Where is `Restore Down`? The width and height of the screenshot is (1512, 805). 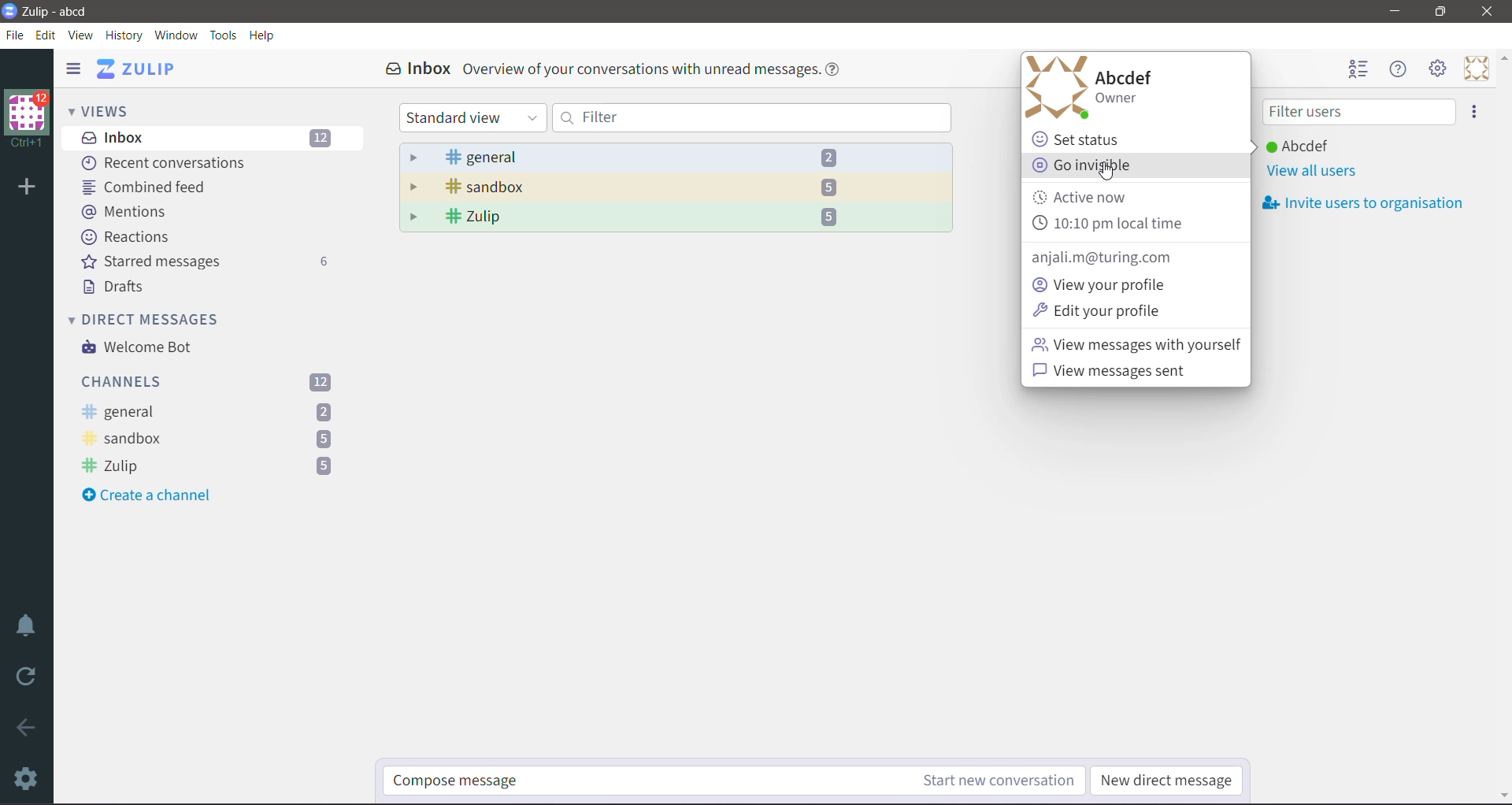
Restore Down is located at coordinates (1440, 13).